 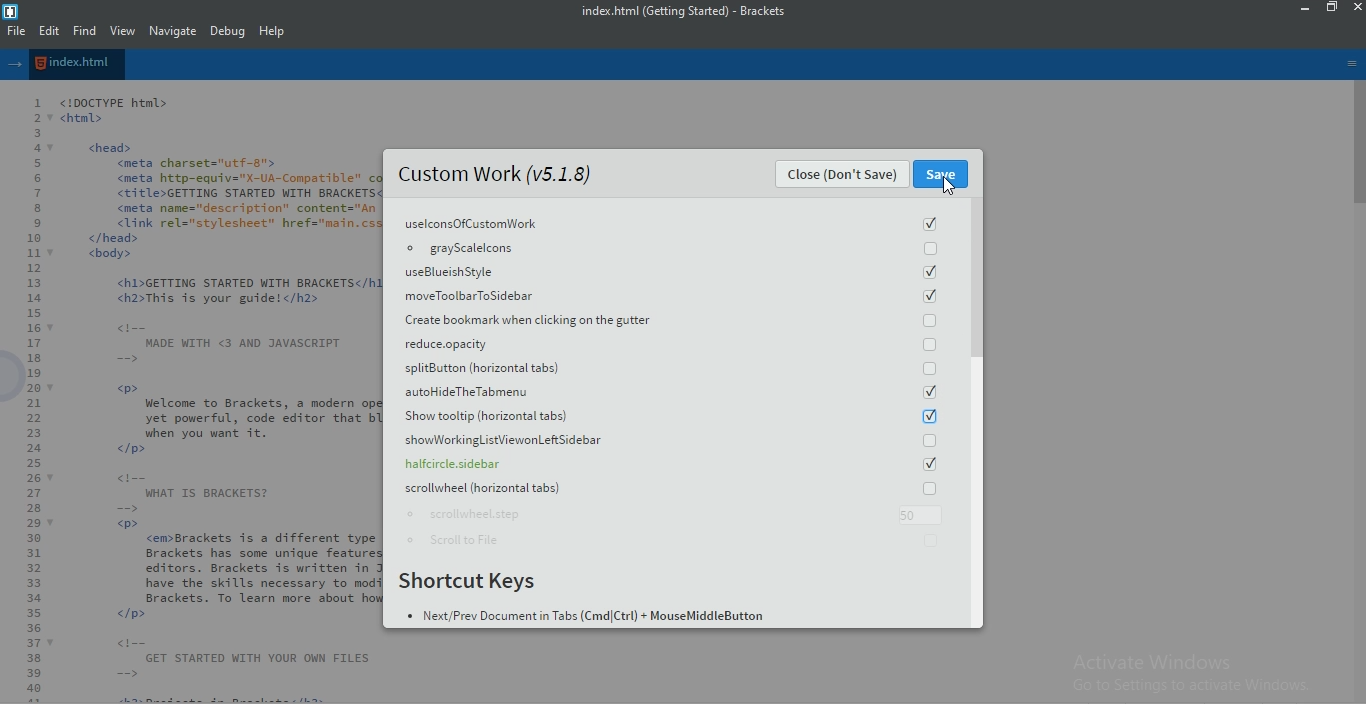 I want to click on Scroll to File, so click(x=678, y=538).